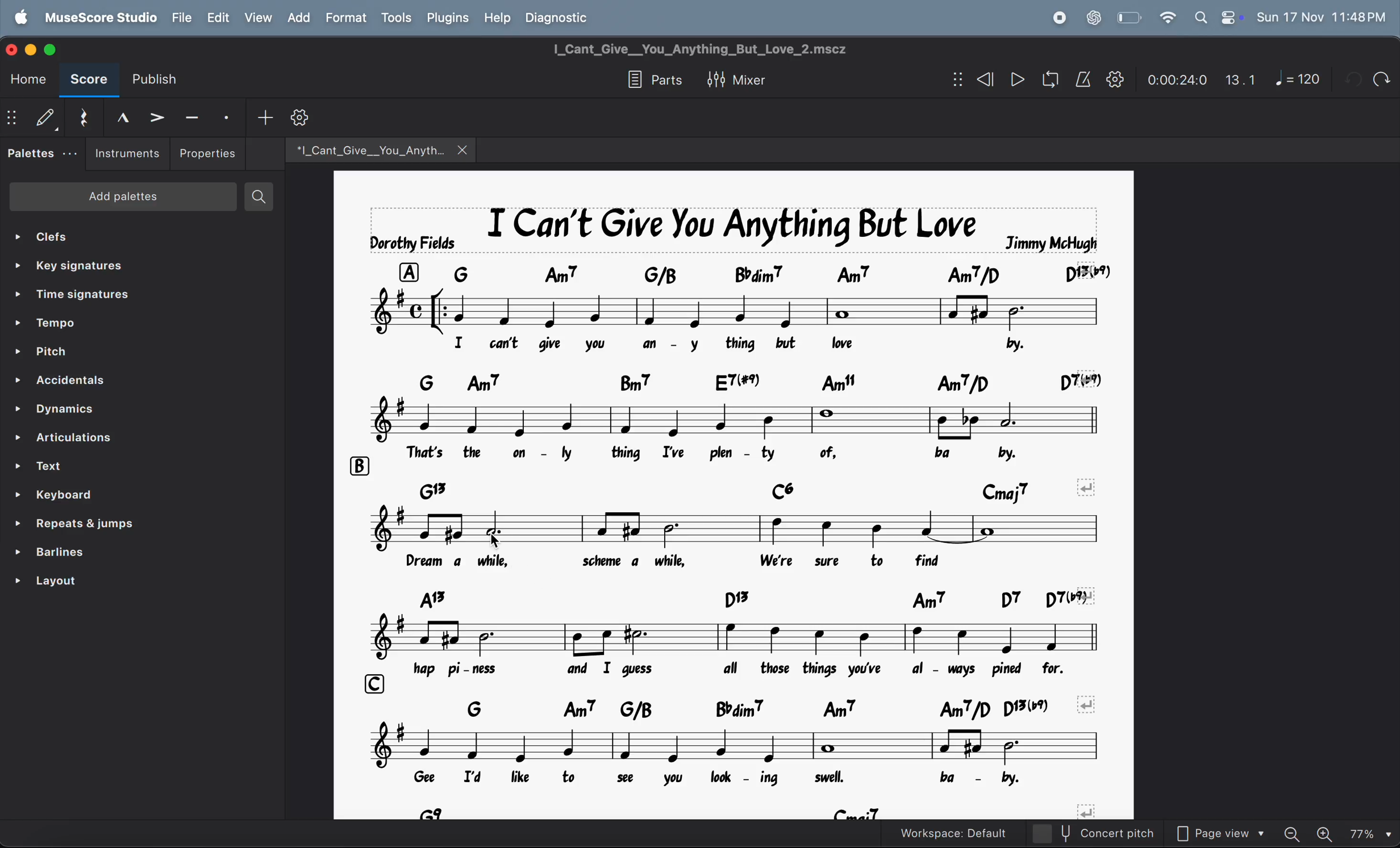  I want to click on pitch, so click(129, 354).